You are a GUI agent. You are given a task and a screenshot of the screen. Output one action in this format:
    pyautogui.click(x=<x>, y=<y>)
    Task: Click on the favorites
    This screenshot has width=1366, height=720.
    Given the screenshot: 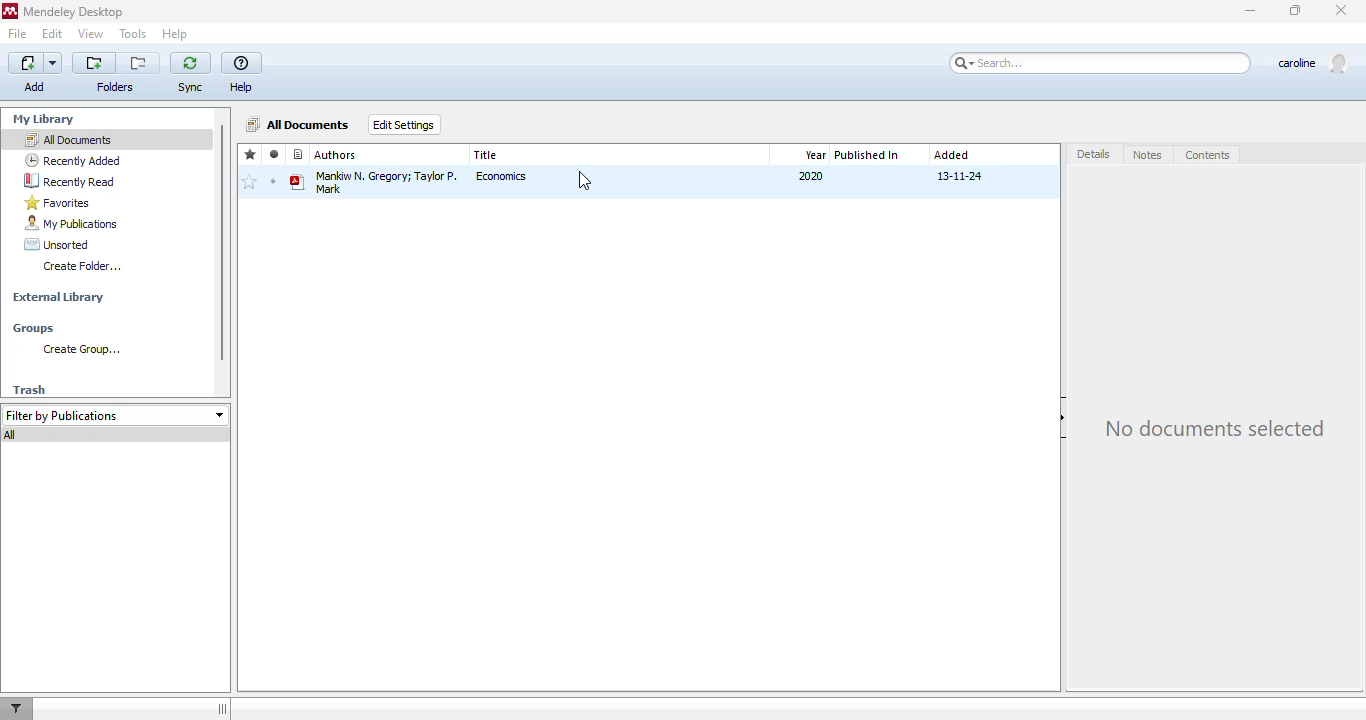 What is the action you would take?
    pyautogui.click(x=250, y=154)
    